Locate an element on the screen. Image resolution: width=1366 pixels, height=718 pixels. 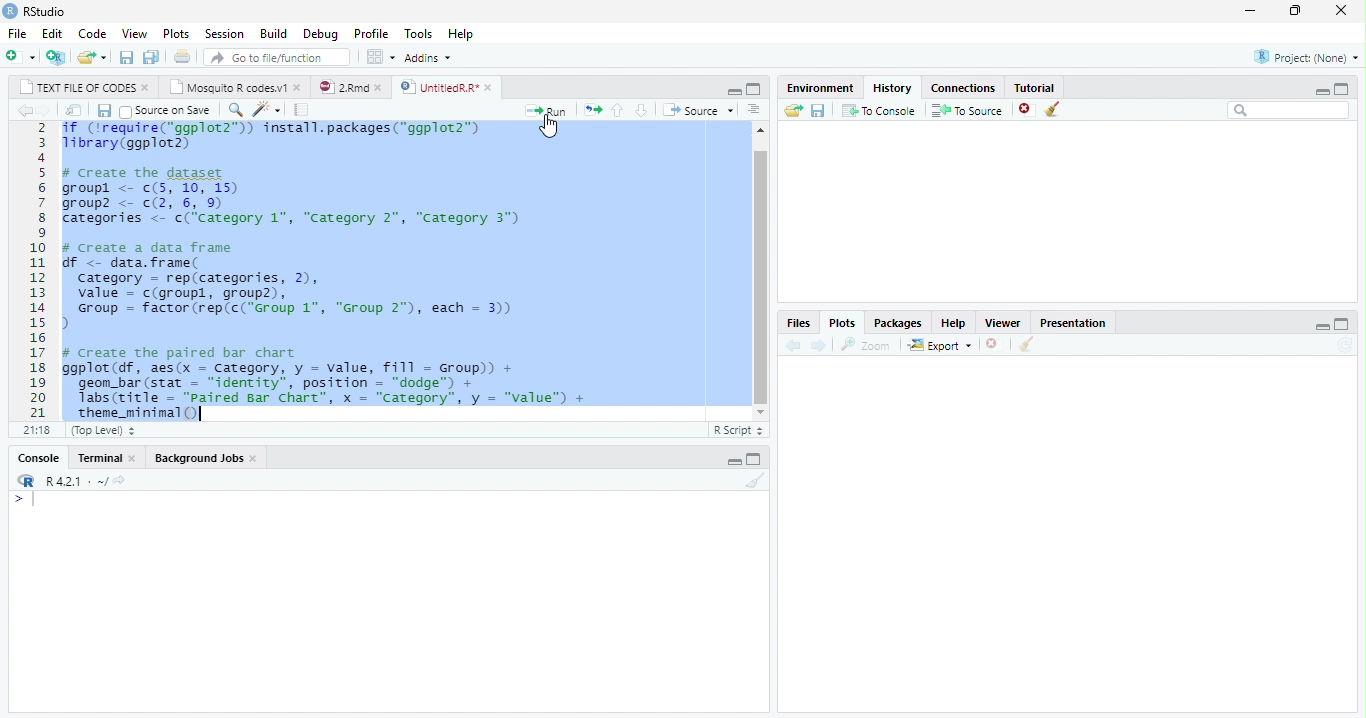
maximize is located at coordinates (758, 460).